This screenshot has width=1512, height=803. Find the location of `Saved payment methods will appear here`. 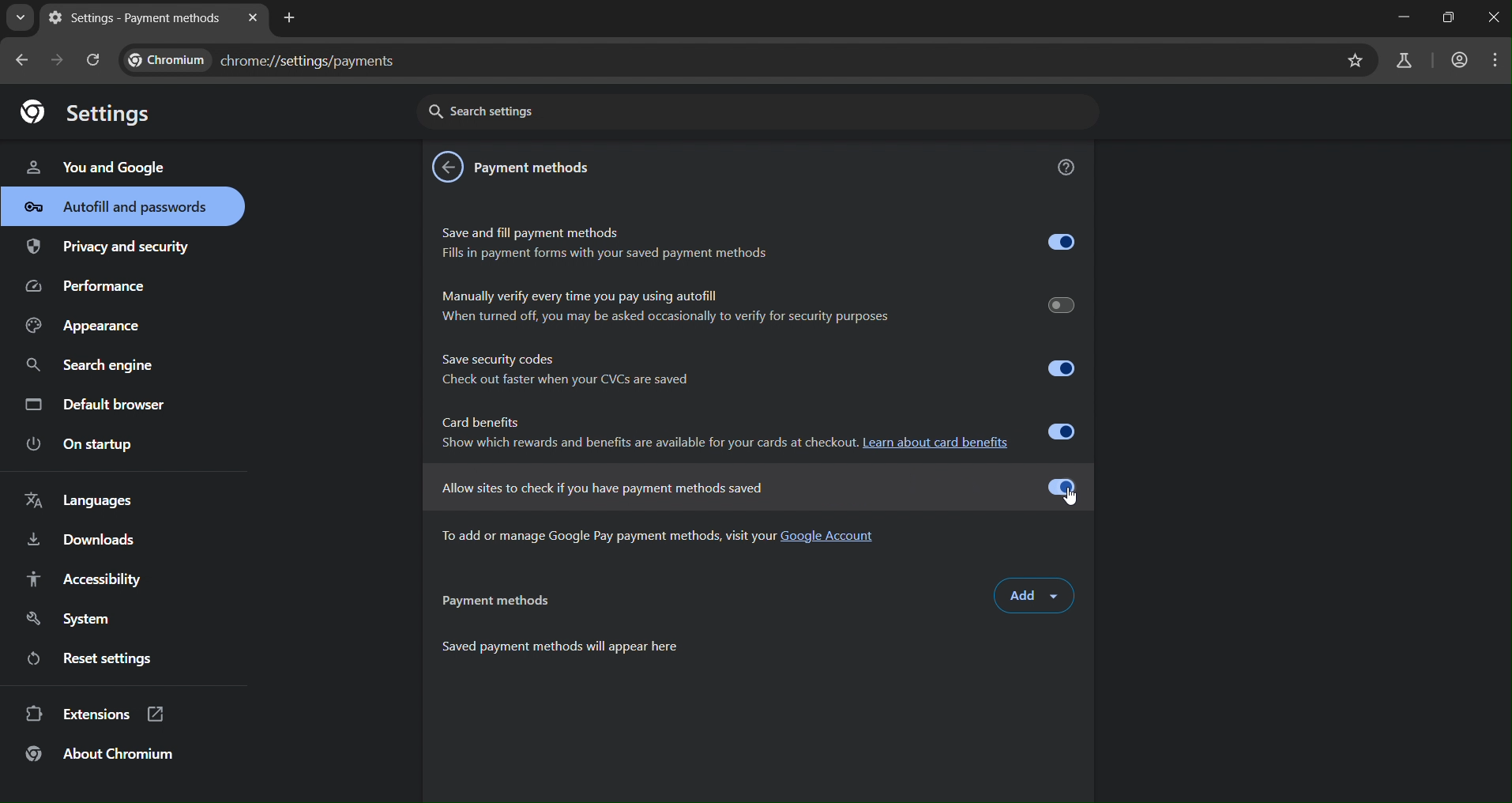

Saved payment methods will appear here is located at coordinates (569, 647).